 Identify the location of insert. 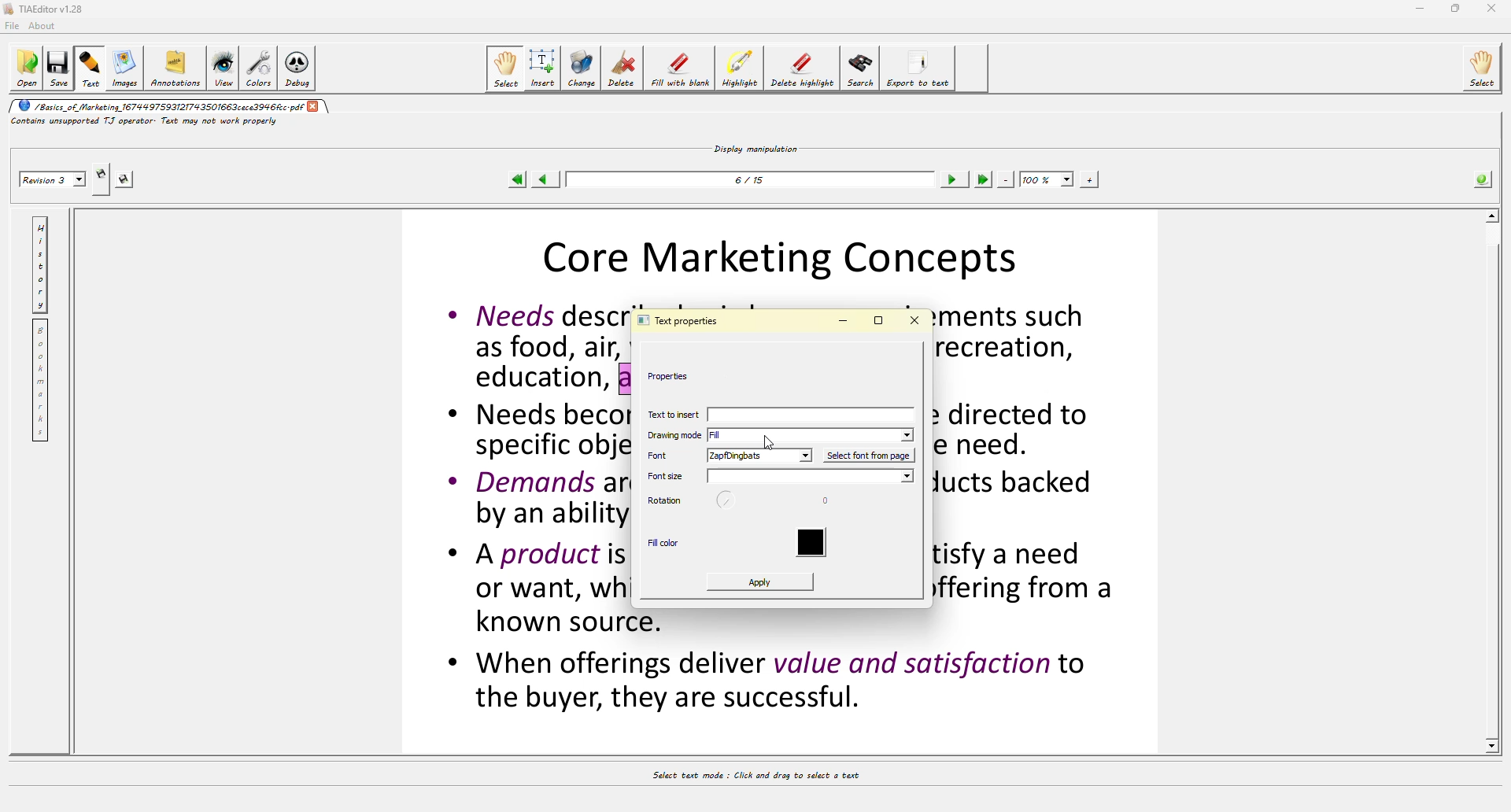
(543, 68).